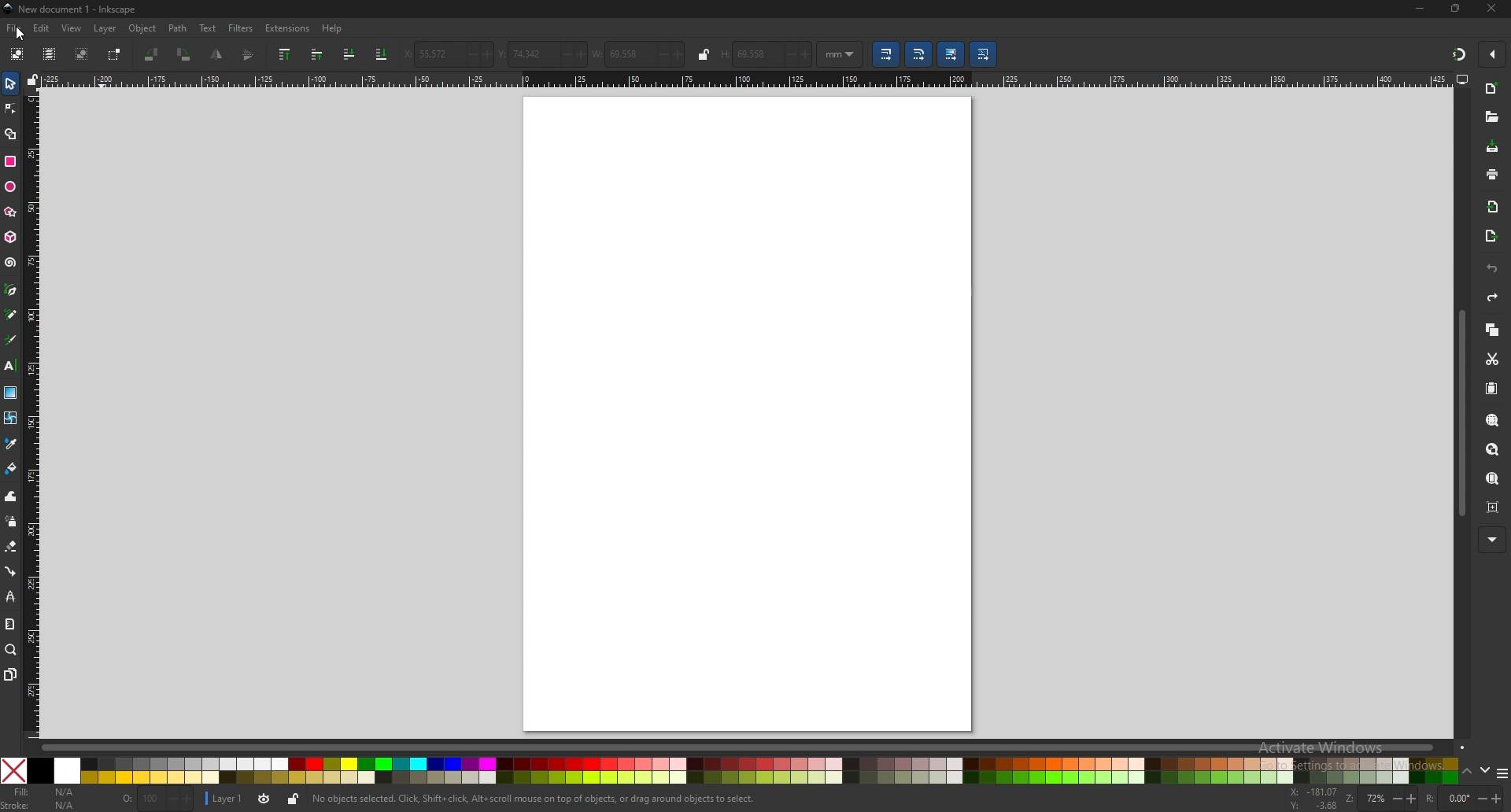 This screenshot has height=812, width=1511. Describe the element at coordinates (115, 54) in the screenshot. I see `toggle selection box` at that location.